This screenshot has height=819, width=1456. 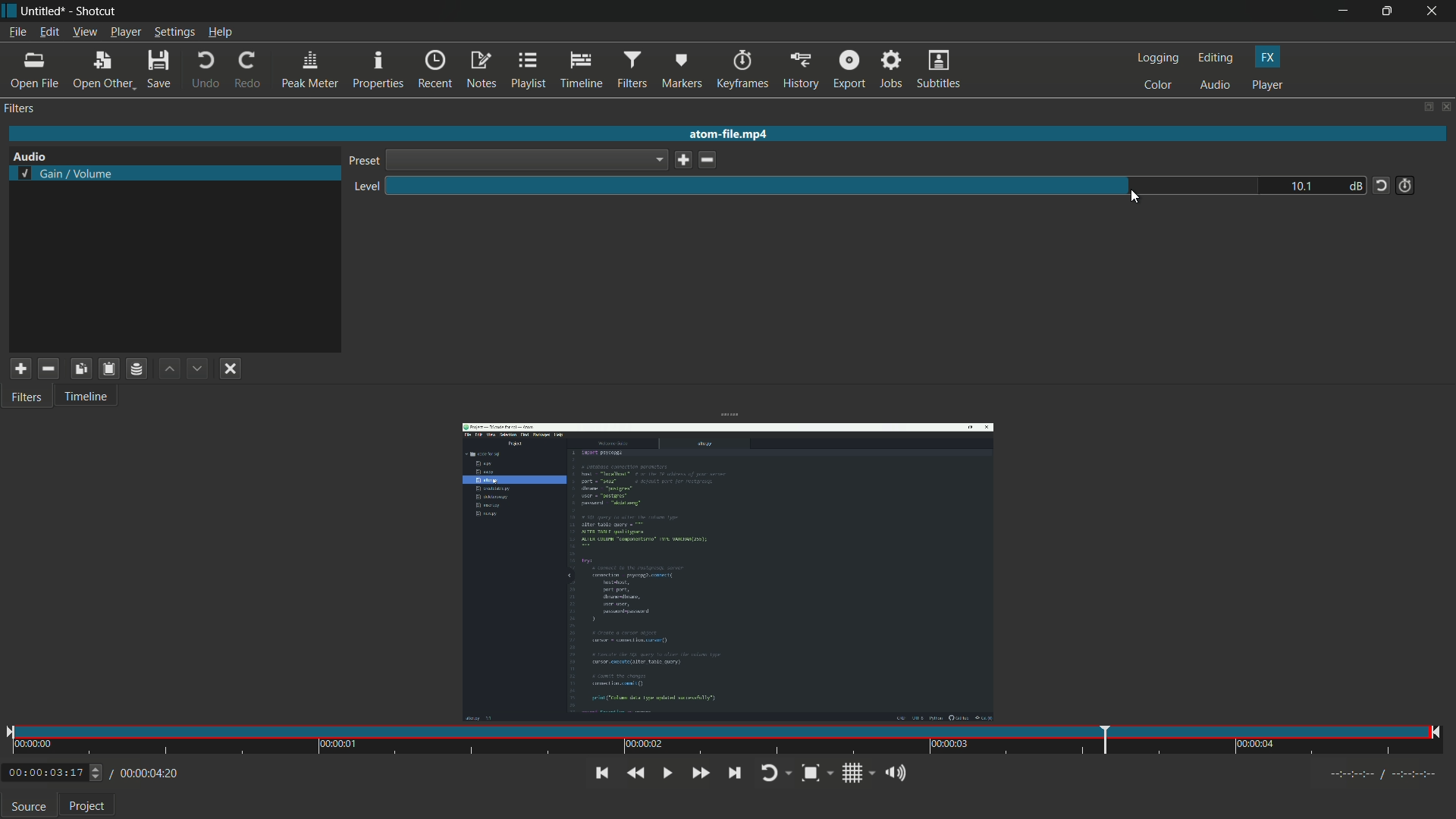 What do you see at coordinates (362, 162) in the screenshot?
I see `preset` at bounding box center [362, 162].